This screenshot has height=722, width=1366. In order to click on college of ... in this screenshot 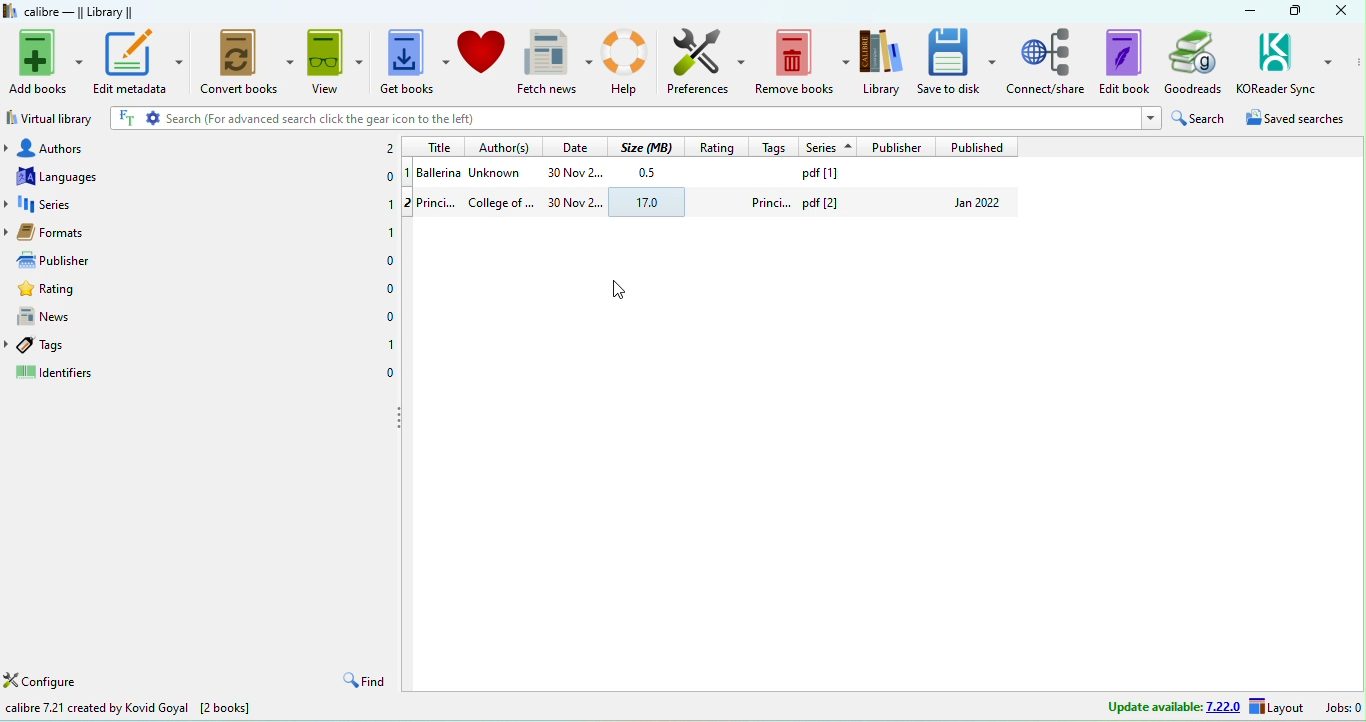, I will do `click(502, 202)`.